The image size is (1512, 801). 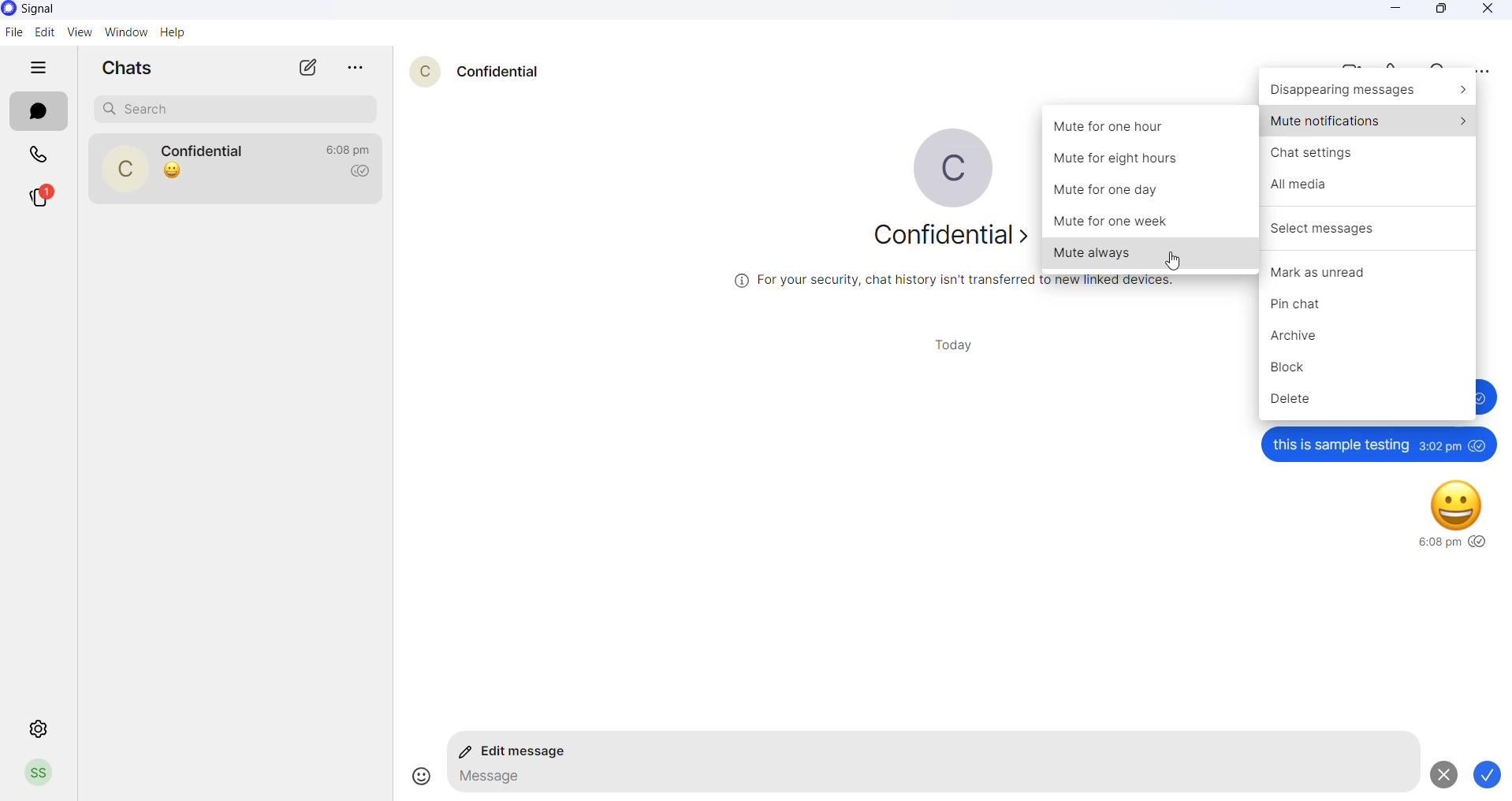 What do you see at coordinates (1369, 120) in the screenshot?
I see `mute notifications` at bounding box center [1369, 120].